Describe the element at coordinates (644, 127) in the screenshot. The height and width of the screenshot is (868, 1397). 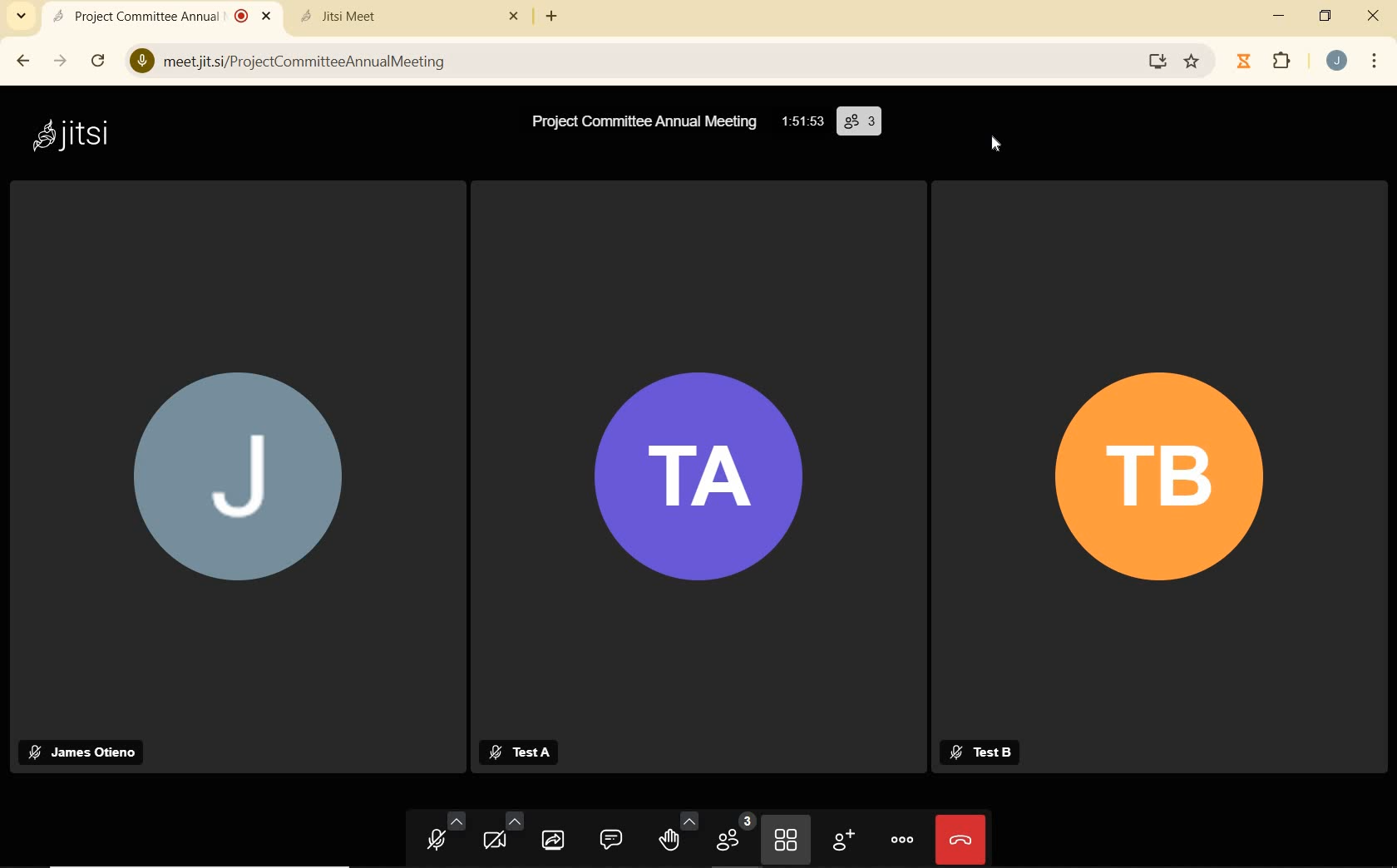
I see `meeting name` at that location.